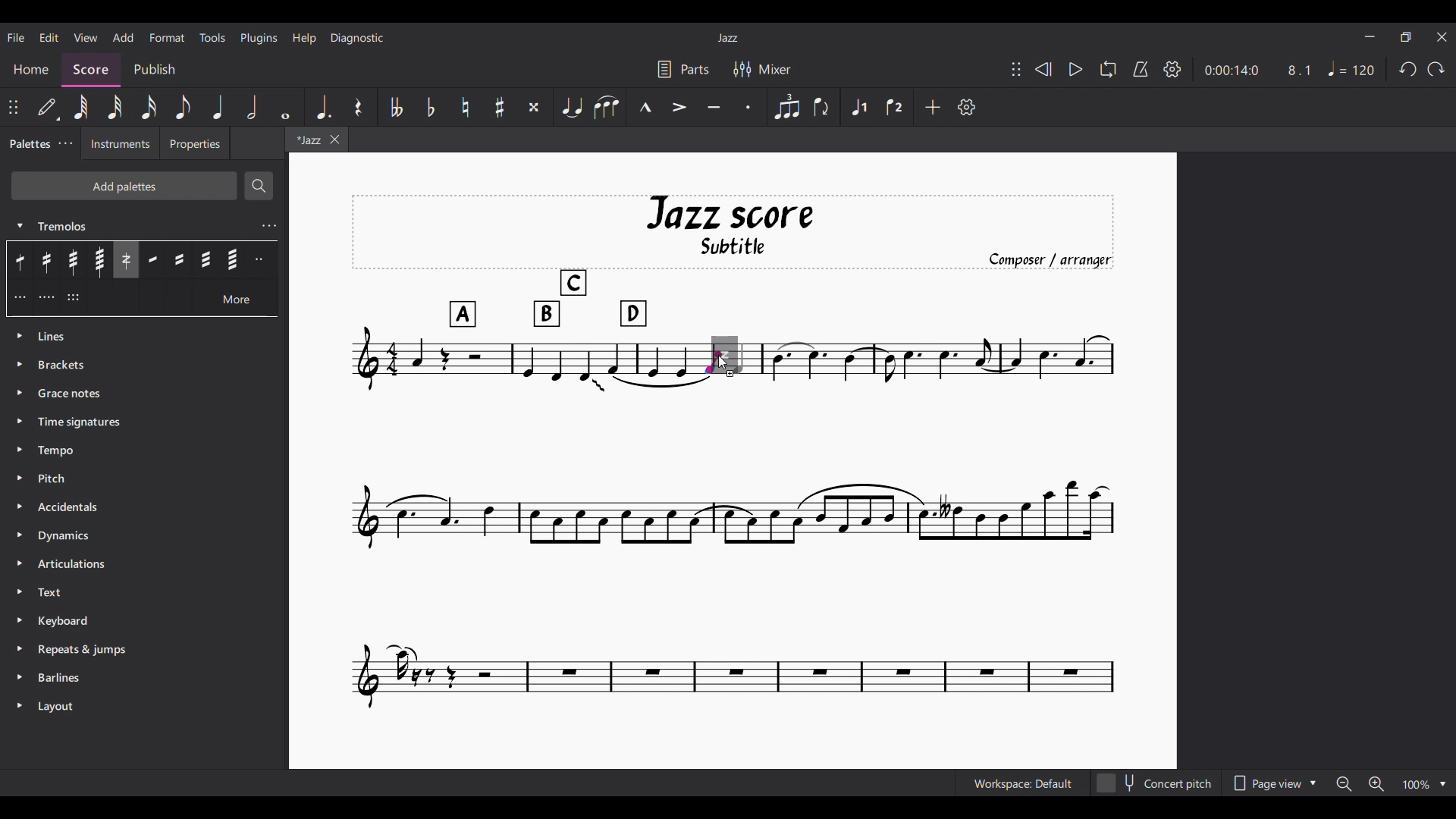  Describe the element at coordinates (1172, 69) in the screenshot. I see `Settings` at that location.